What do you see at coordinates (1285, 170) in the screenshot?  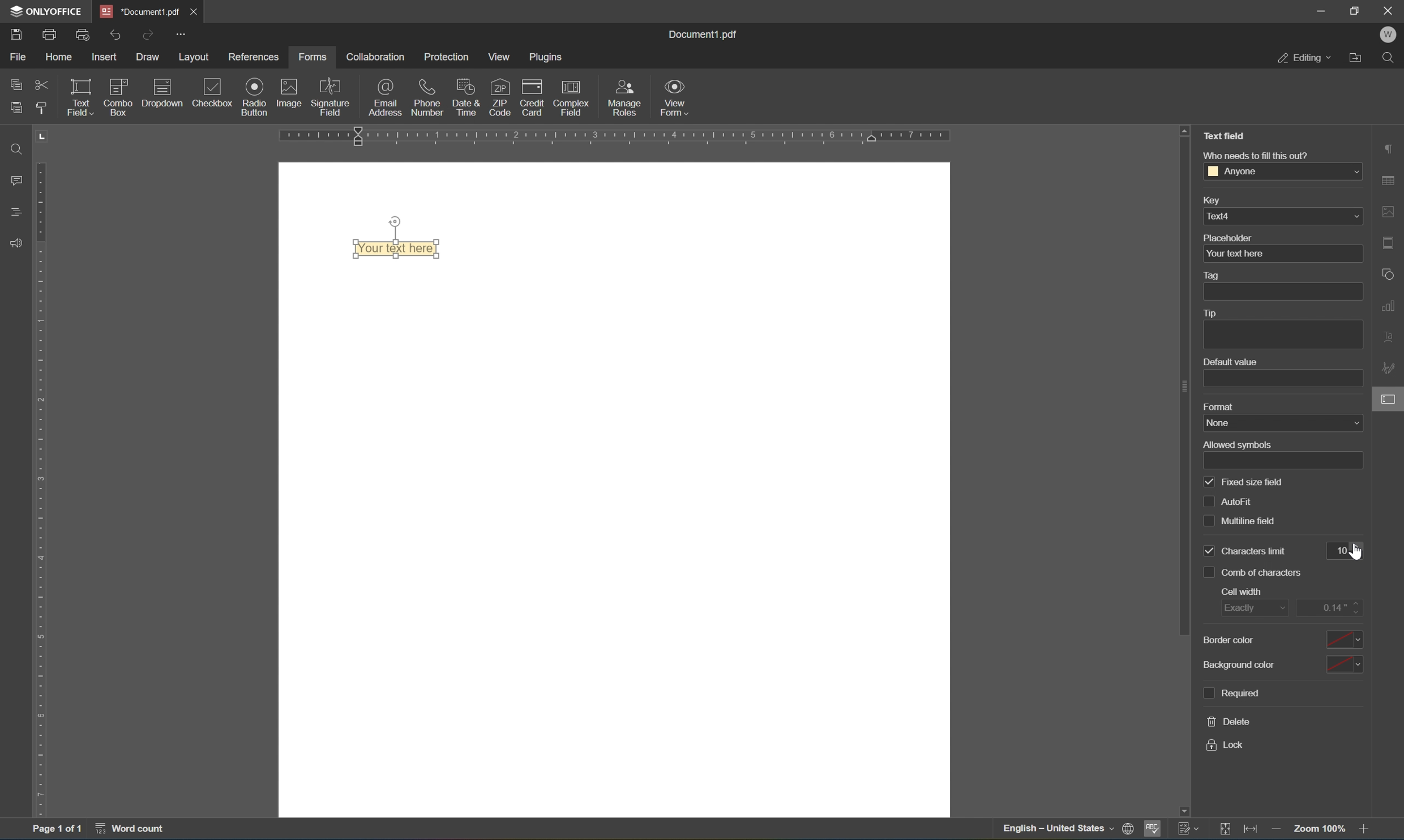 I see `anyone` at bounding box center [1285, 170].